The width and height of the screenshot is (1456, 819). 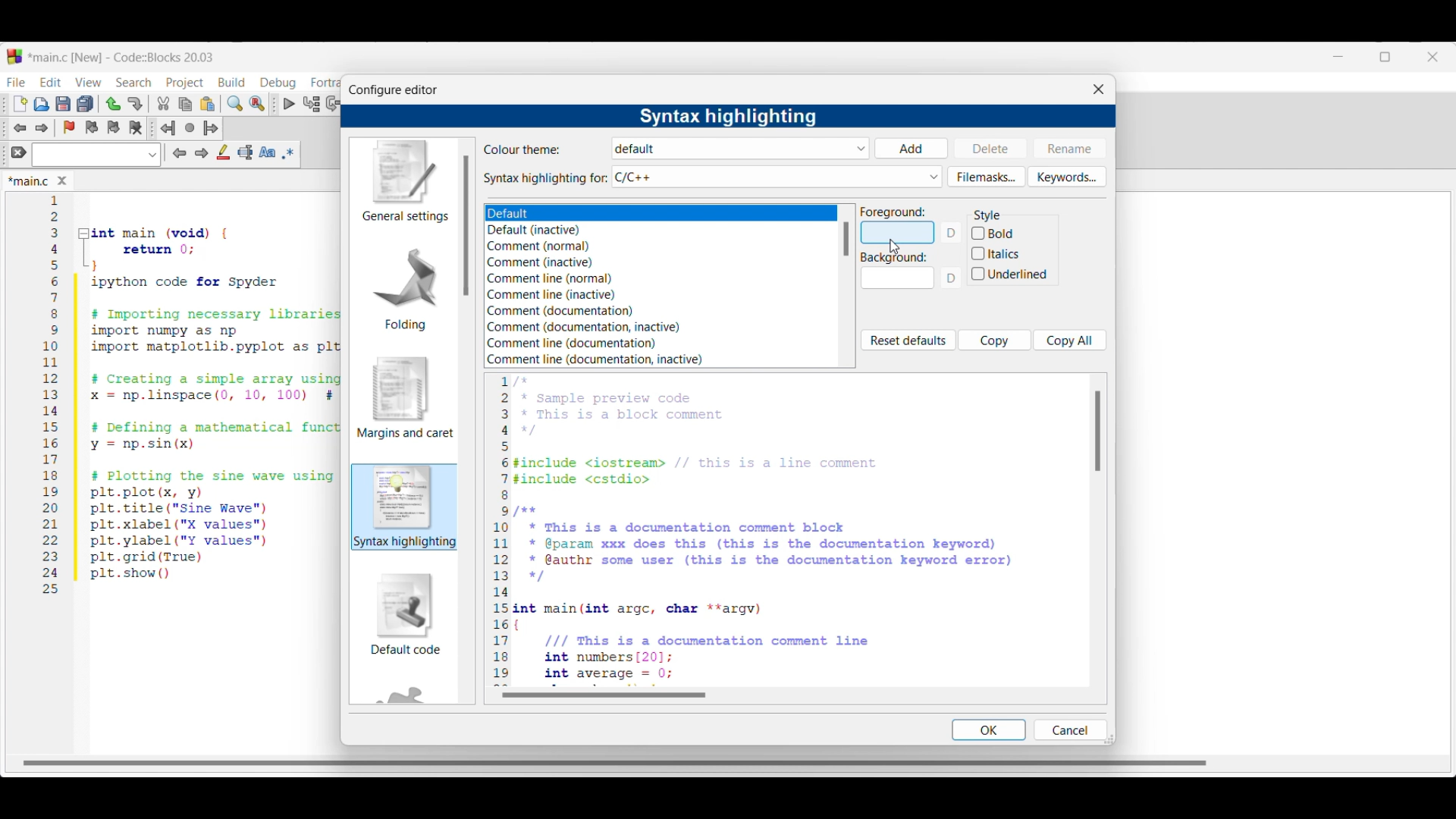 I want to click on Comment (inactive), so click(x=541, y=262).